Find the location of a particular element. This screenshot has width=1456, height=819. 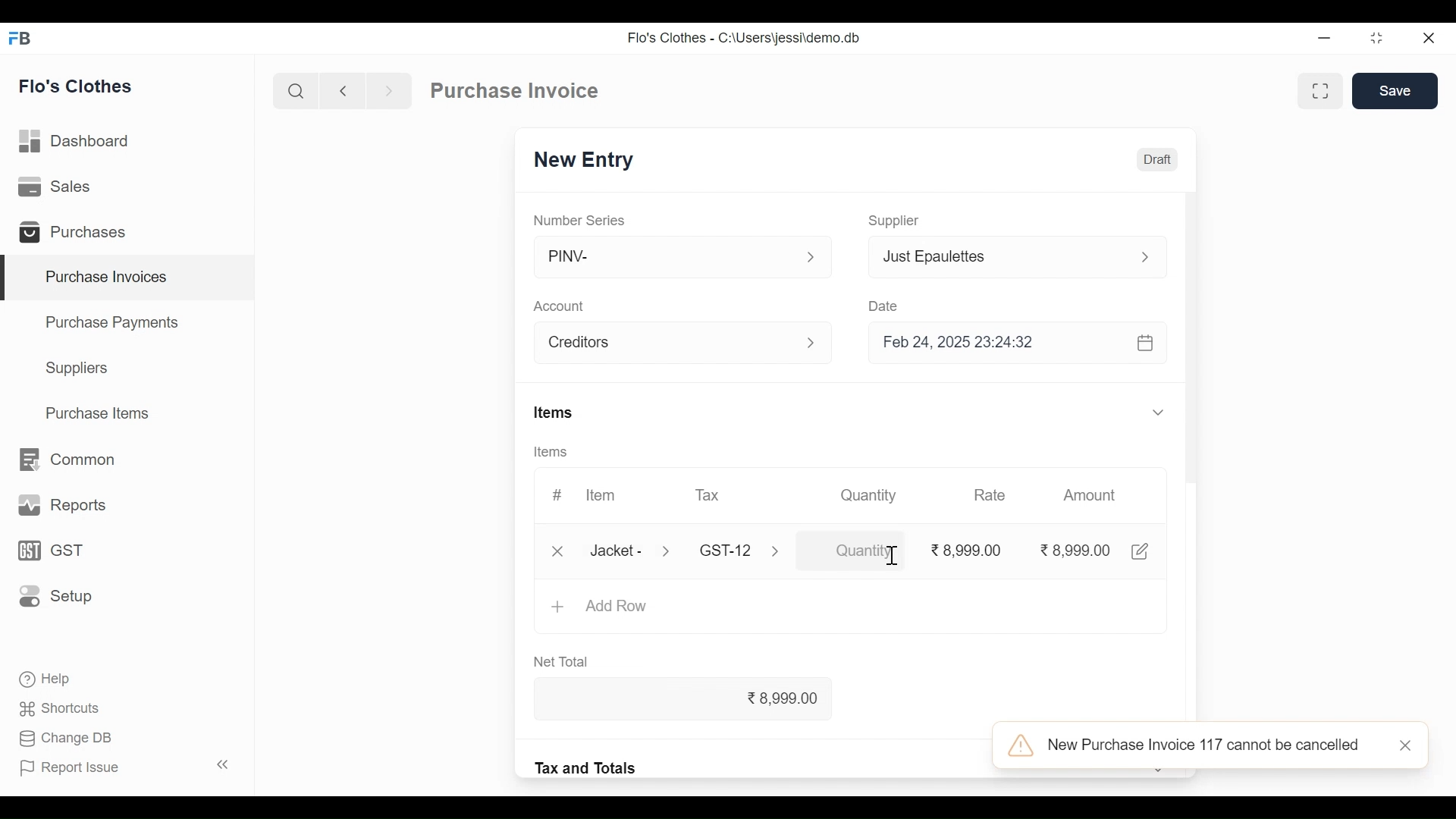

expand is located at coordinates (811, 257).